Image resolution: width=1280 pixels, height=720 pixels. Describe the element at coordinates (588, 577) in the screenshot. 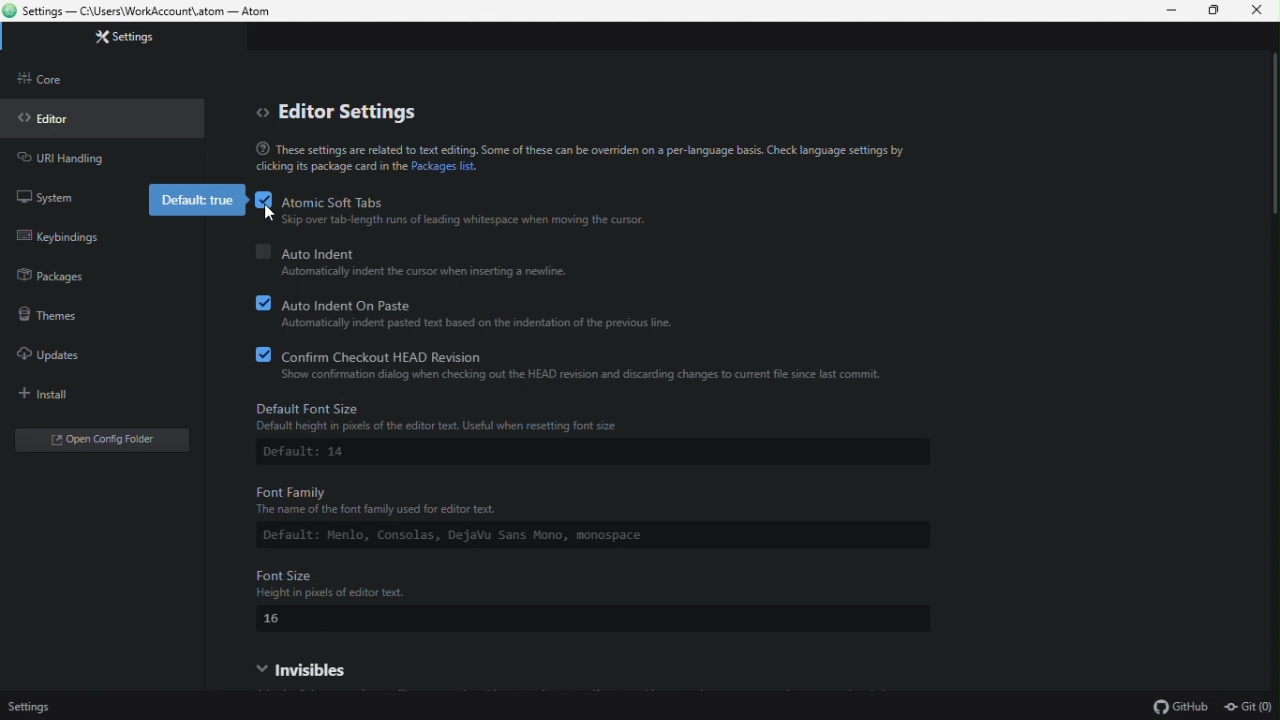

I see `Font Size
Height in pixels of editor text.` at that location.